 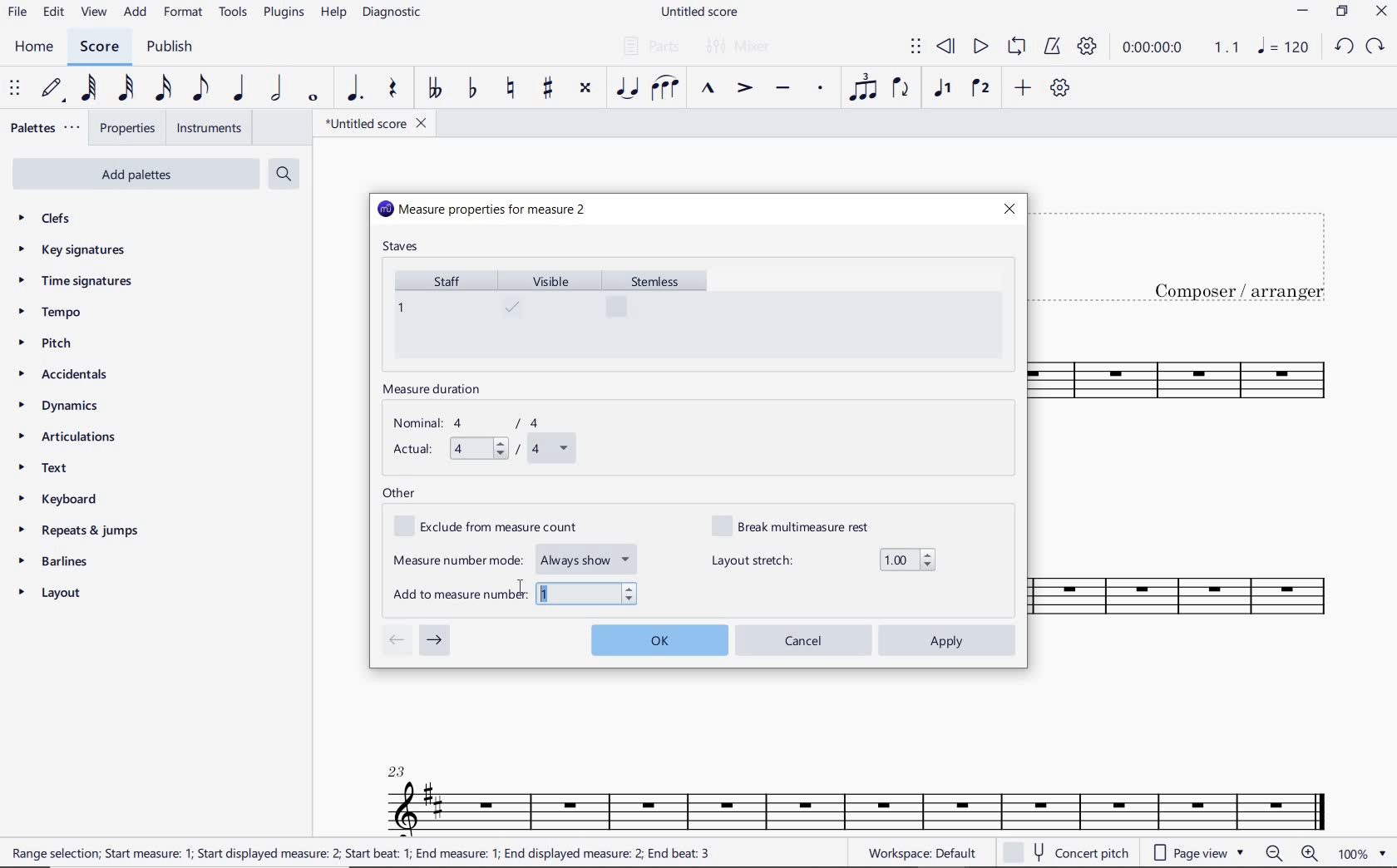 I want to click on TUPLET, so click(x=865, y=87).